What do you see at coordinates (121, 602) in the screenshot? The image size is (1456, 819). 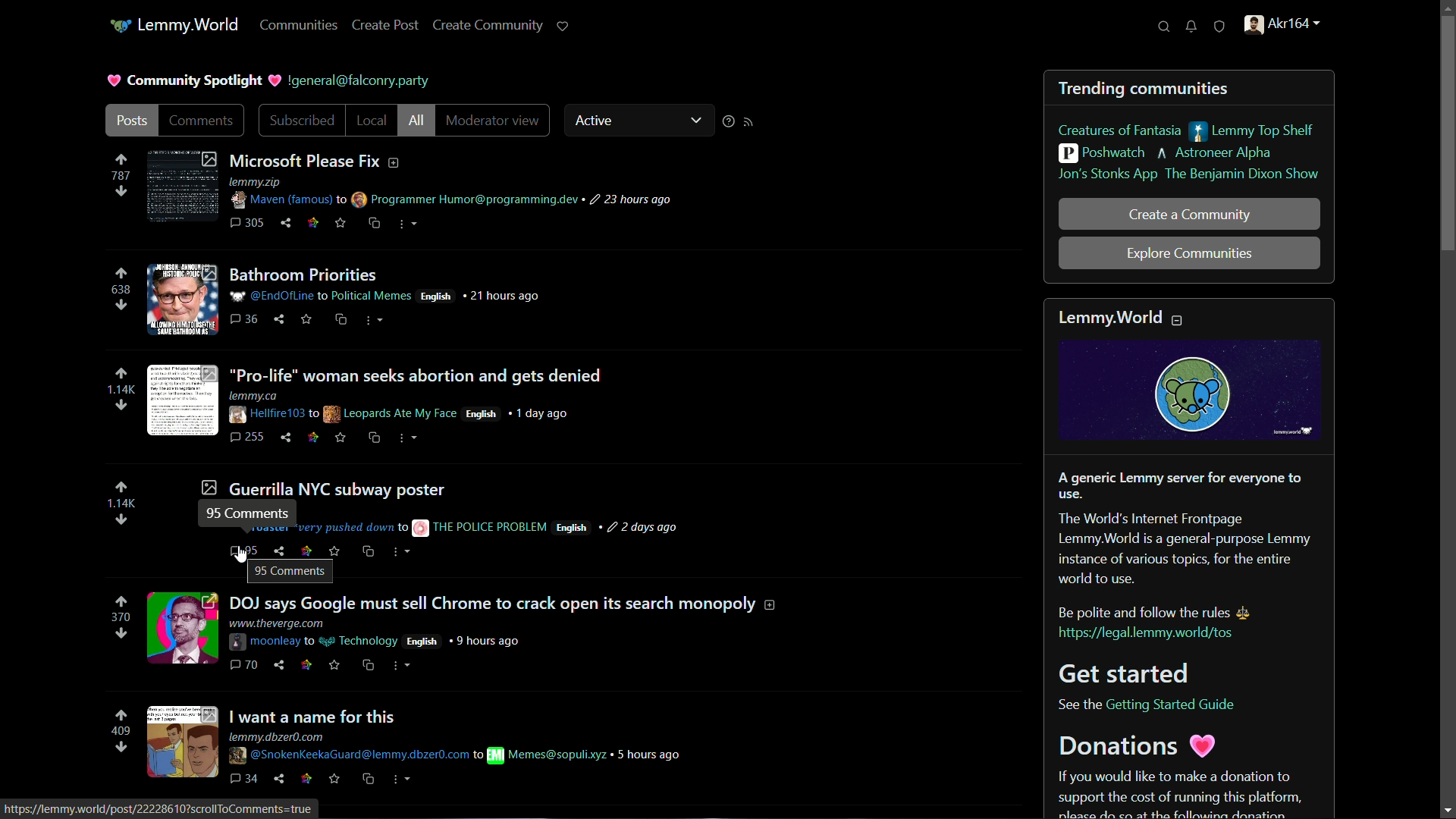 I see `upvote` at bounding box center [121, 602].